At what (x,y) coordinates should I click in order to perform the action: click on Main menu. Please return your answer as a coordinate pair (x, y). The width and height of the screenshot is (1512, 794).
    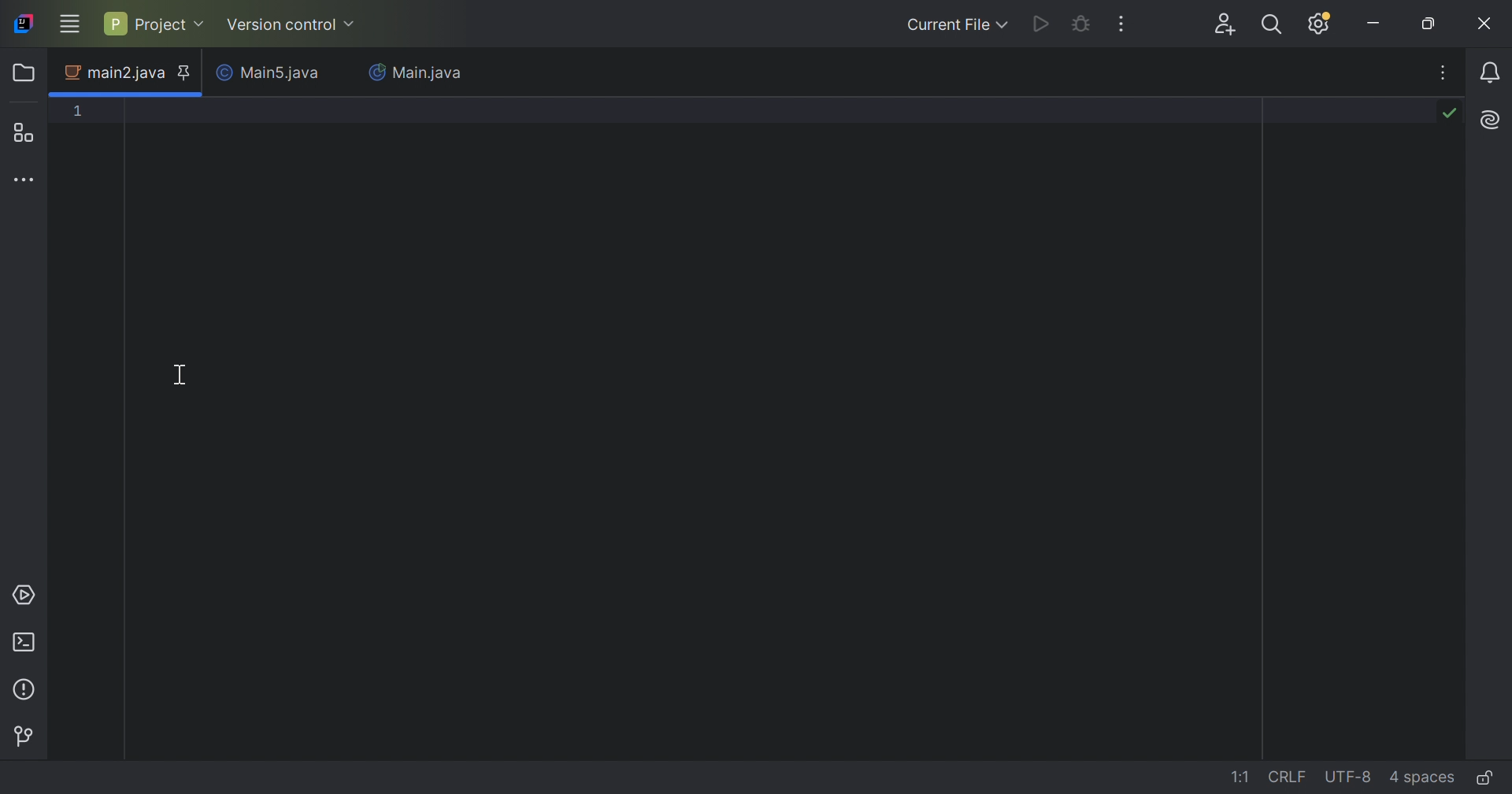
    Looking at the image, I should click on (69, 24).